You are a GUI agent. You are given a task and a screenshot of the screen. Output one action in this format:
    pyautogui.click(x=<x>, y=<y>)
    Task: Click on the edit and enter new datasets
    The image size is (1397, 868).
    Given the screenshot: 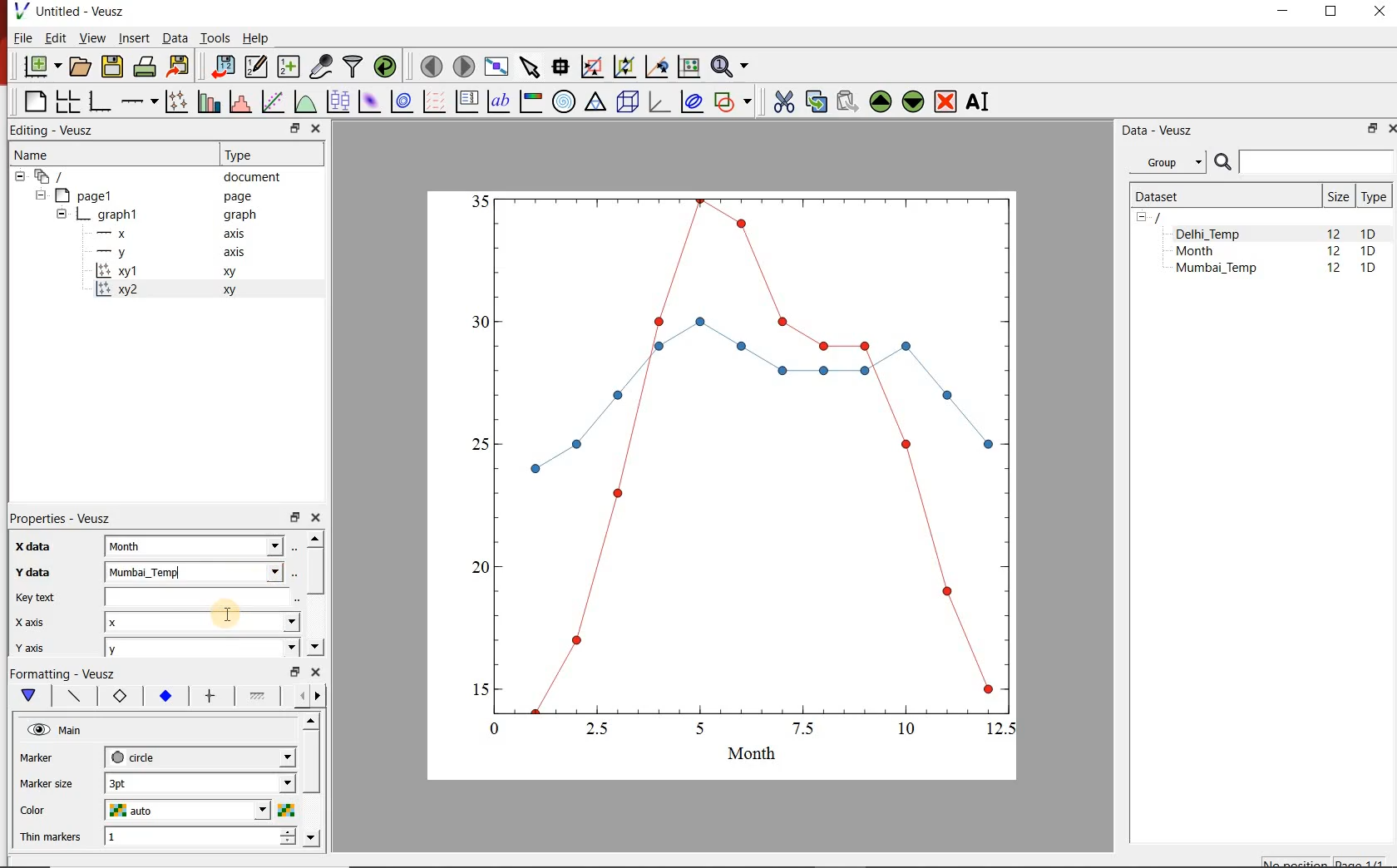 What is the action you would take?
    pyautogui.click(x=255, y=67)
    